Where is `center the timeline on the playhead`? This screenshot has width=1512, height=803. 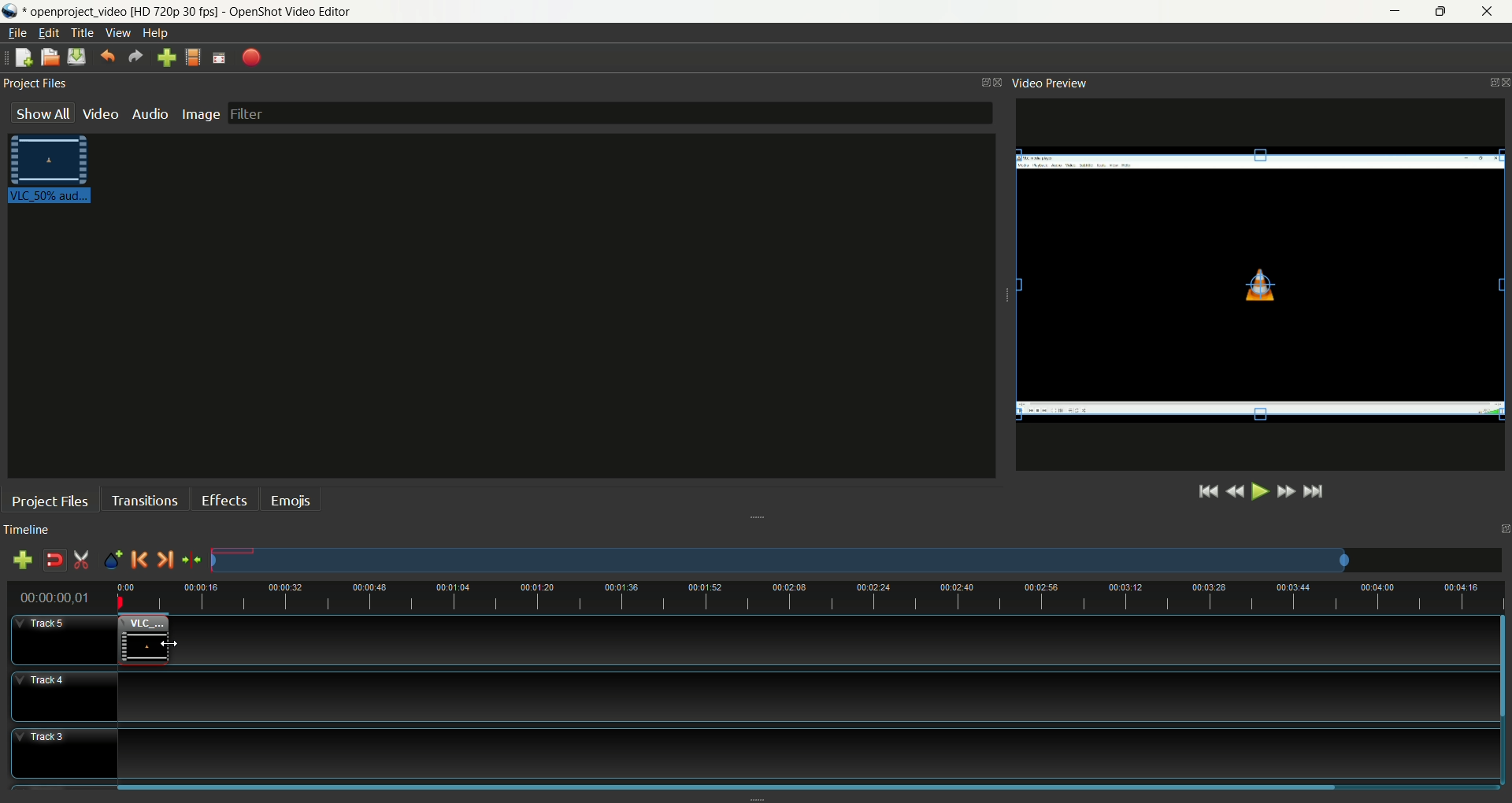 center the timeline on the playhead is located at coordinates (192, 561).